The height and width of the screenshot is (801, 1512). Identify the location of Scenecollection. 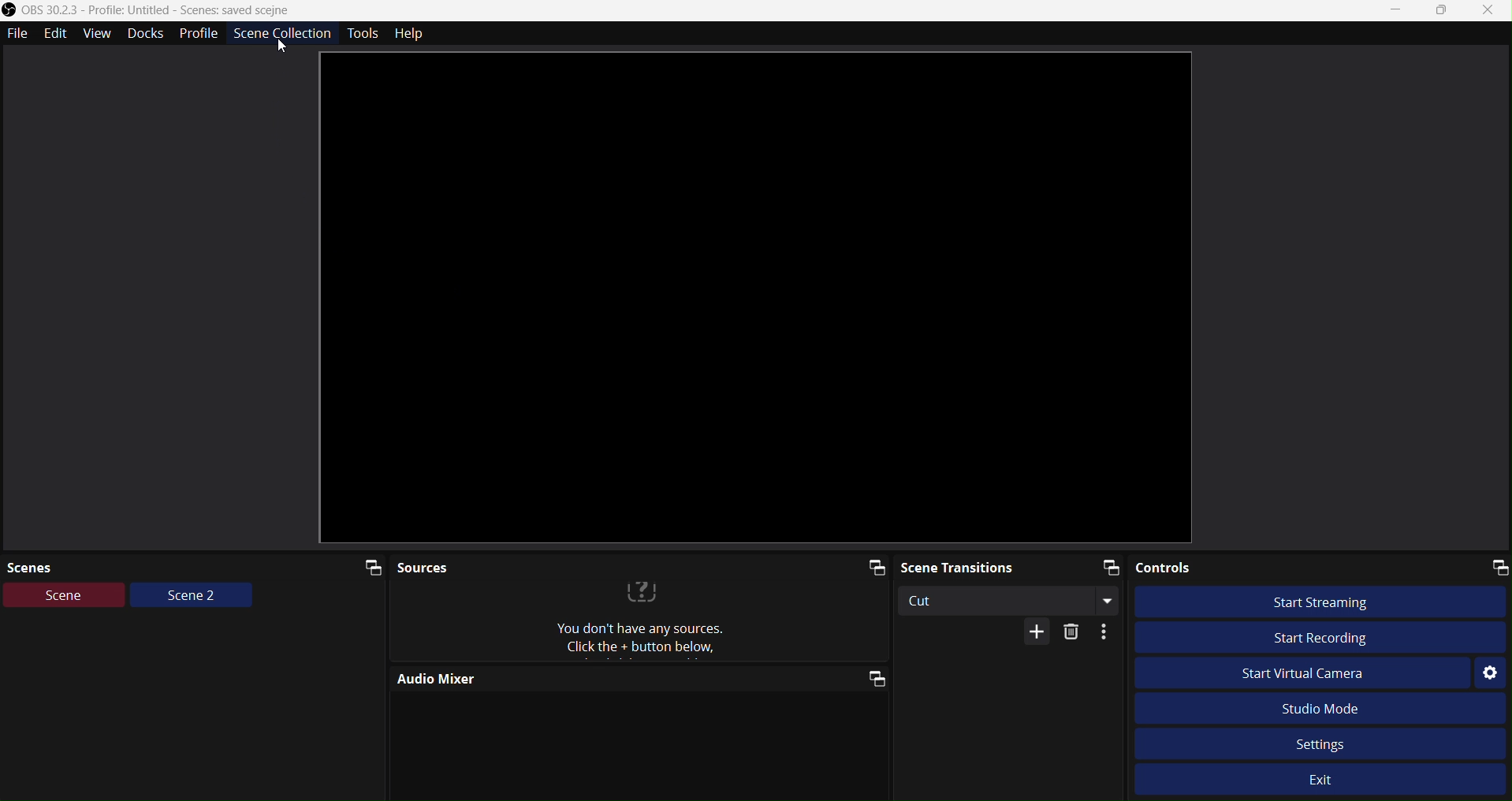
(283, 35).